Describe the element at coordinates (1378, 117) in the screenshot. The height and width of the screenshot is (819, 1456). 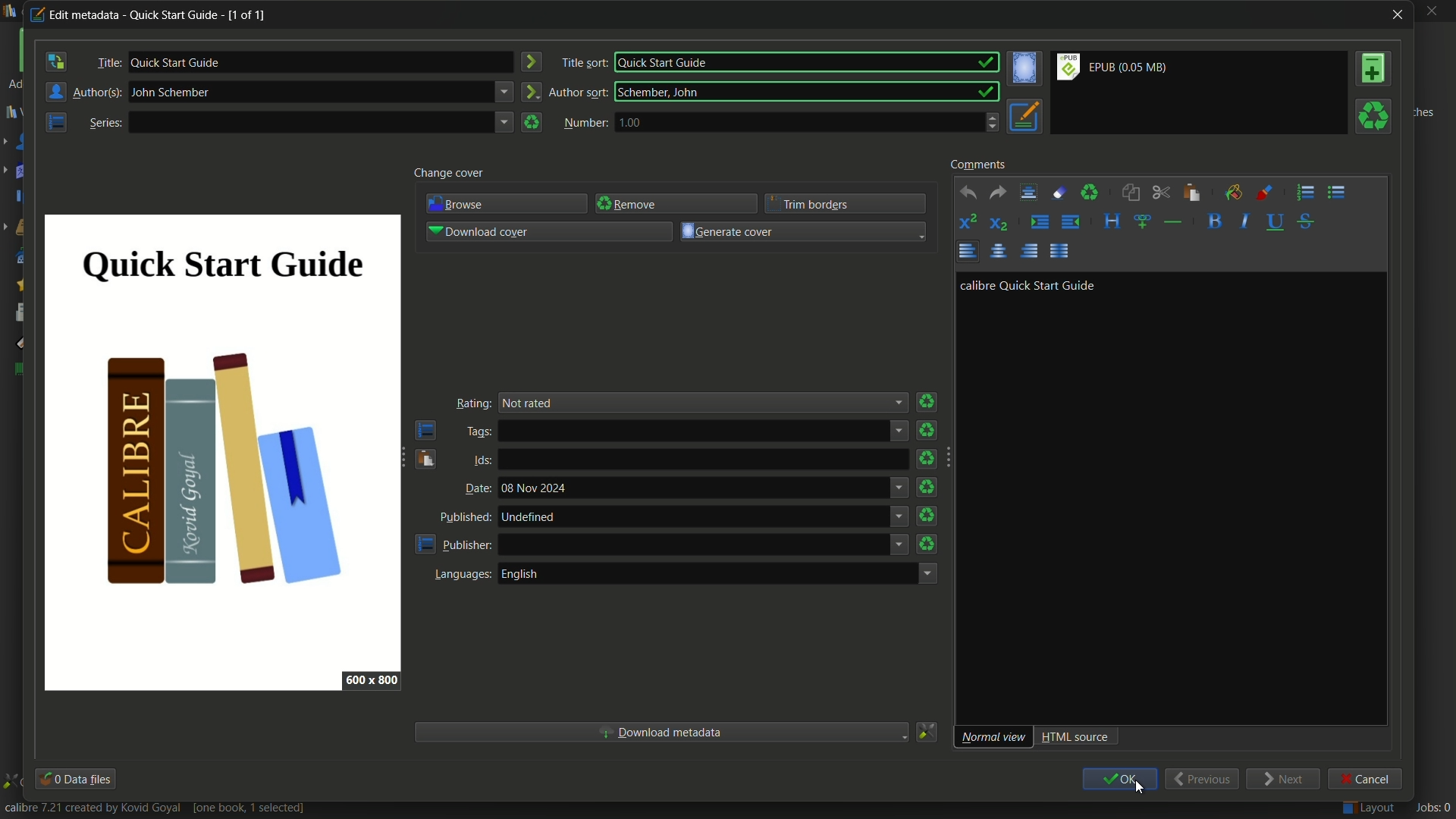
I see `remove format` at that location.